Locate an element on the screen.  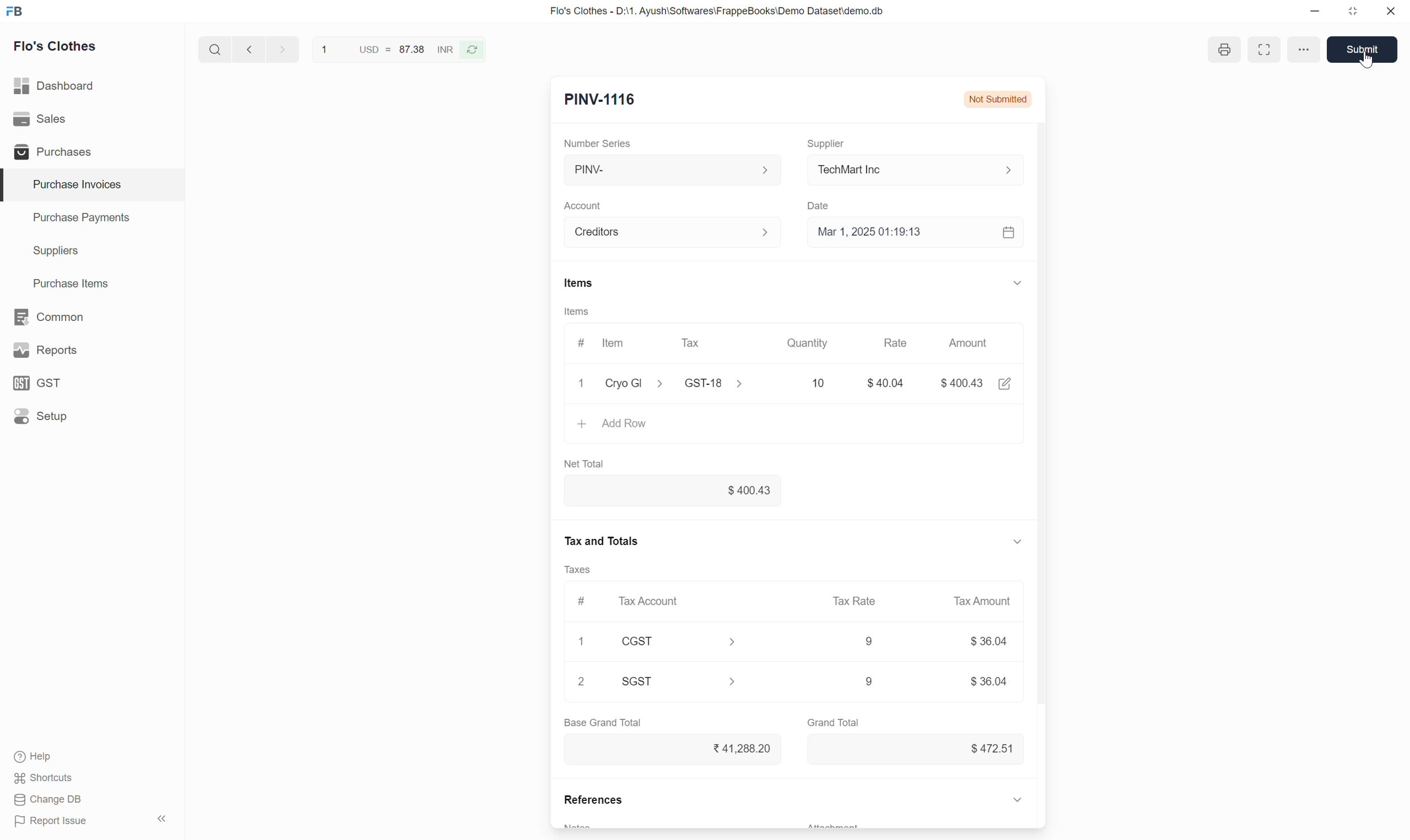
Shortcuts is located at coordinates (45, 779).